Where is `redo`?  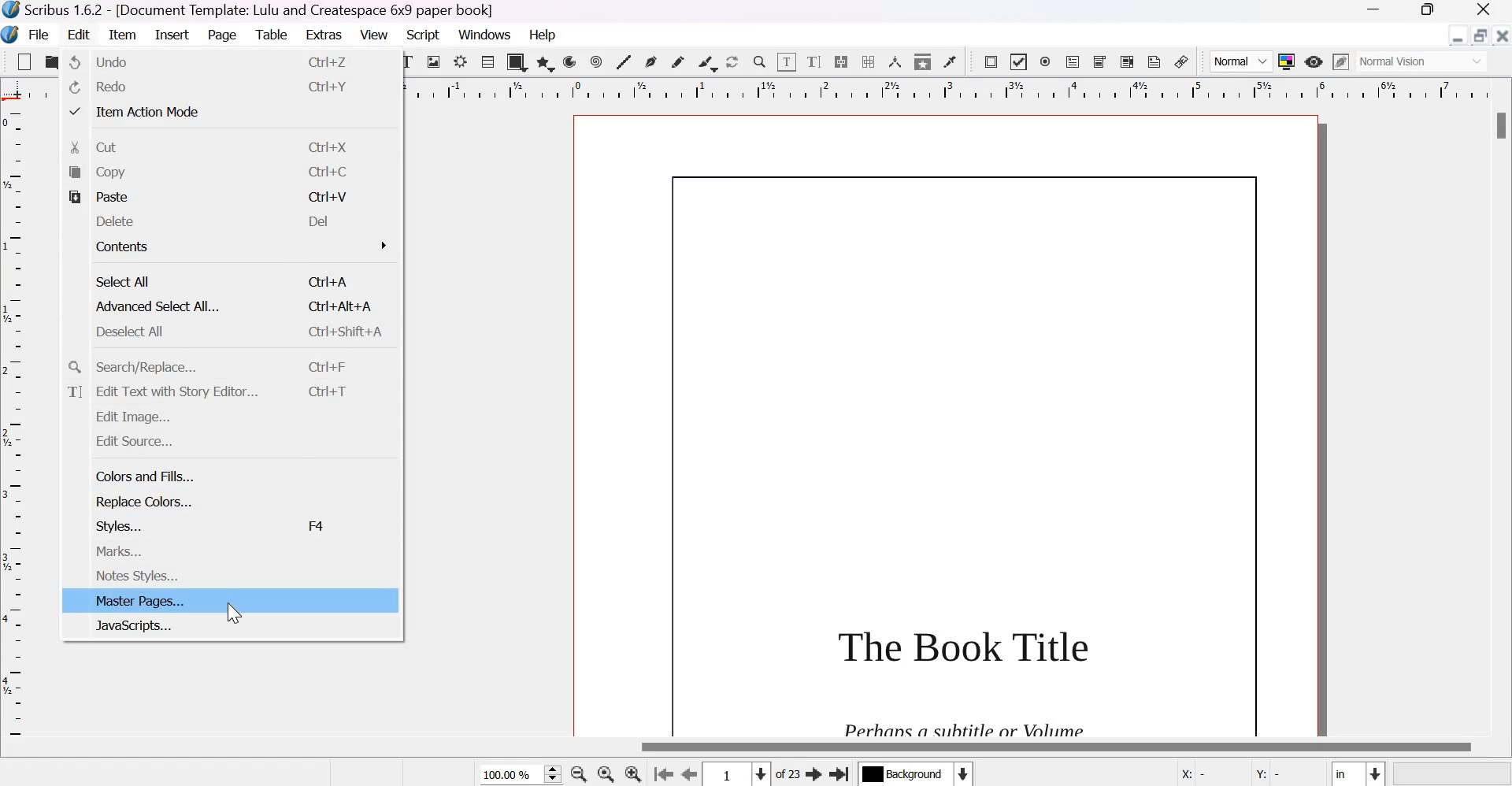 redo is located at coordinates (224, 87).